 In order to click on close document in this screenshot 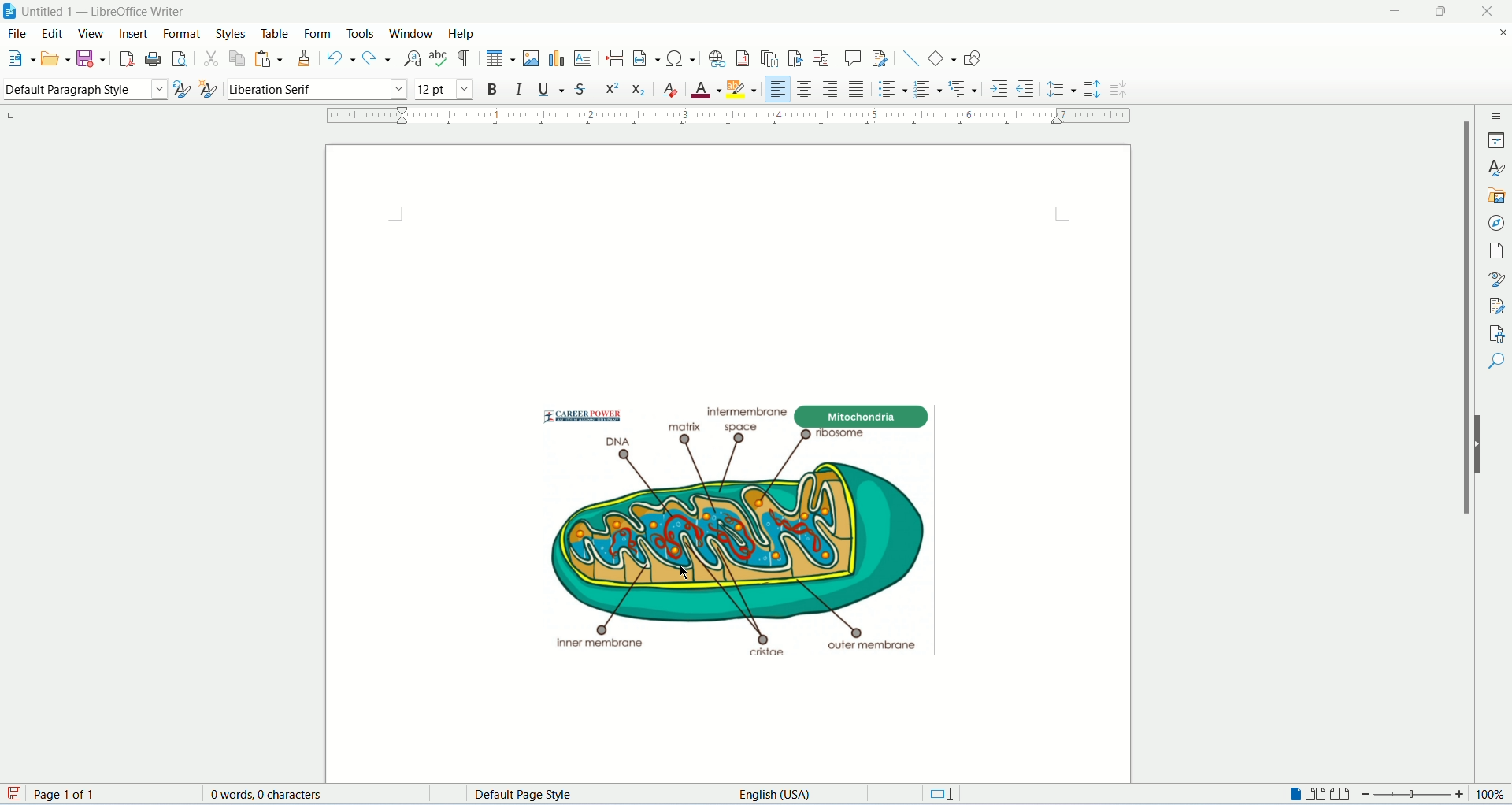, I will do `click(1503, 34)`.